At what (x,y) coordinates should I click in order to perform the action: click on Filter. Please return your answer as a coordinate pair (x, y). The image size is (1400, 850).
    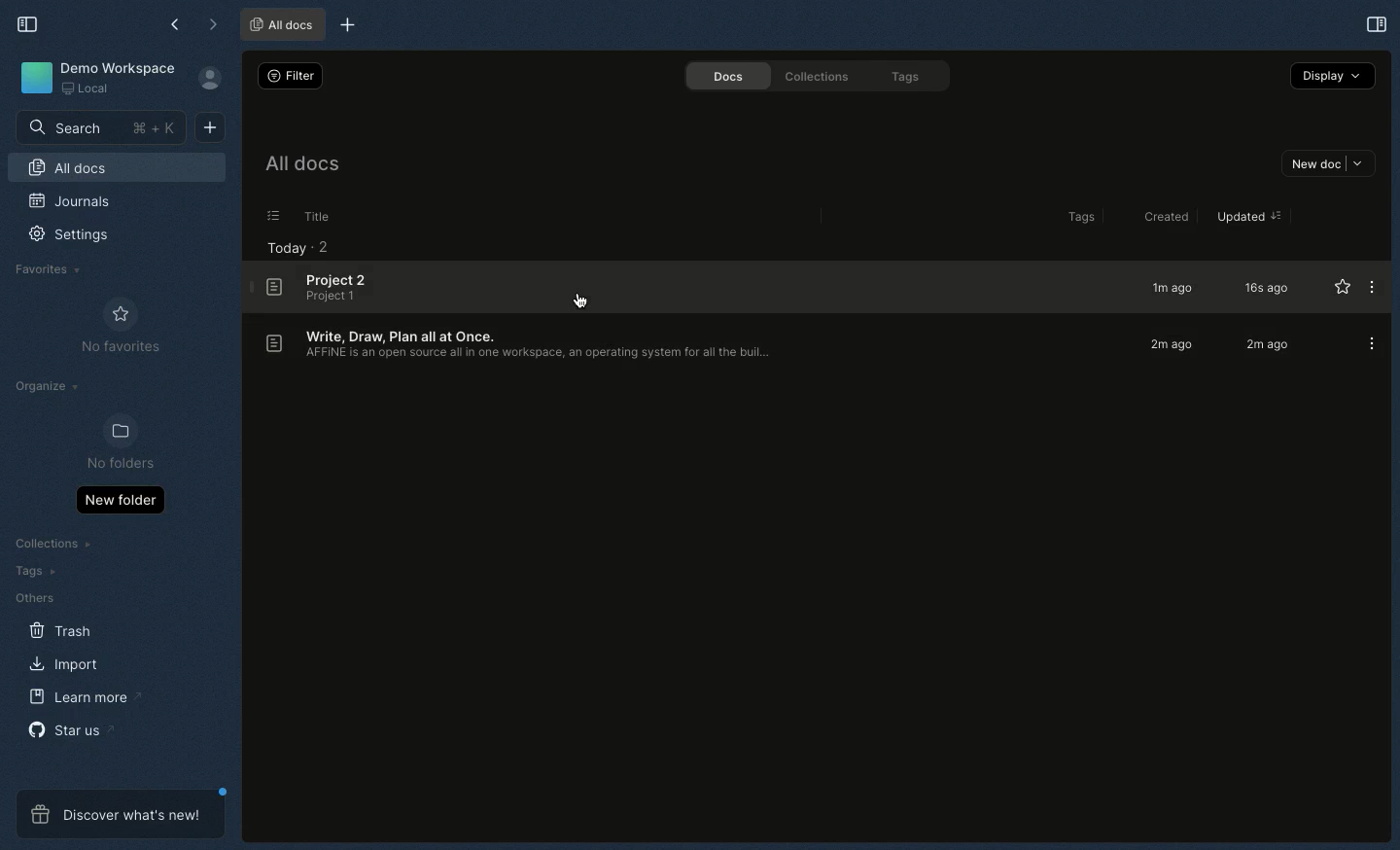
    Looking at the image, I should click on (288, 75).